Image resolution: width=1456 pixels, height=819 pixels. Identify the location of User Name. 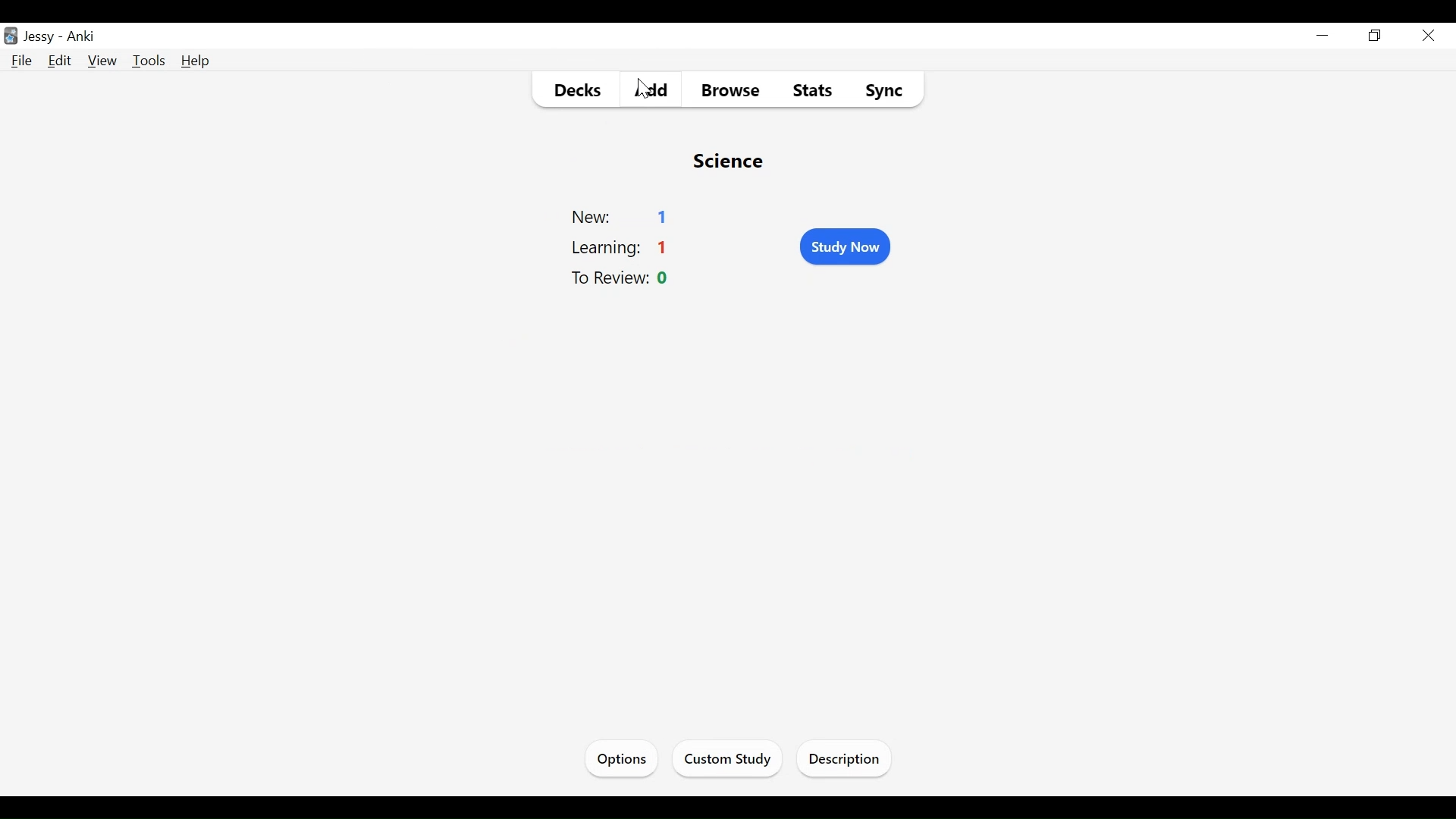
(42, 37).